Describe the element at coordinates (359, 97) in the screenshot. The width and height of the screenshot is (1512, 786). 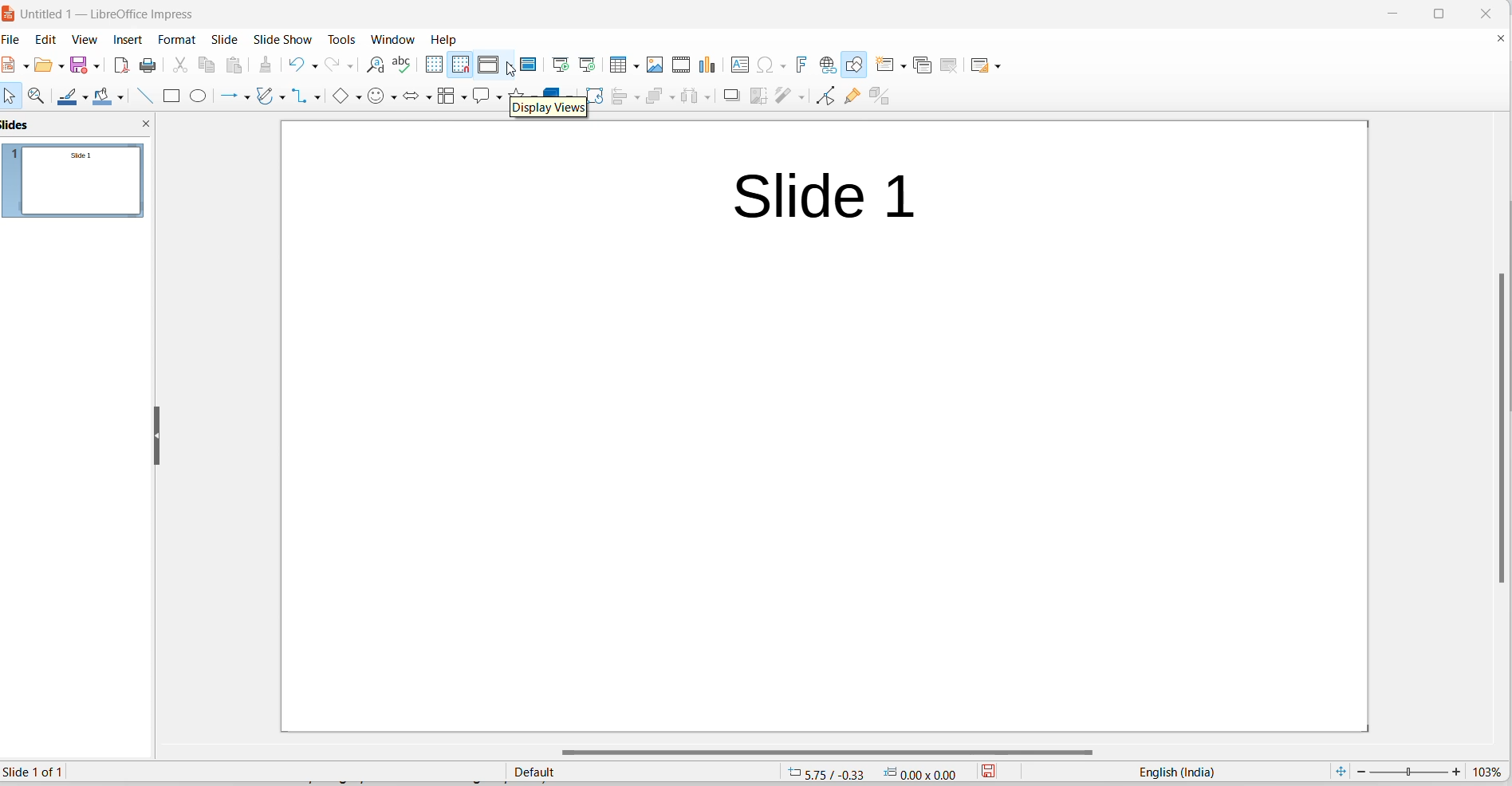
I see `basic shapes options` at that location.